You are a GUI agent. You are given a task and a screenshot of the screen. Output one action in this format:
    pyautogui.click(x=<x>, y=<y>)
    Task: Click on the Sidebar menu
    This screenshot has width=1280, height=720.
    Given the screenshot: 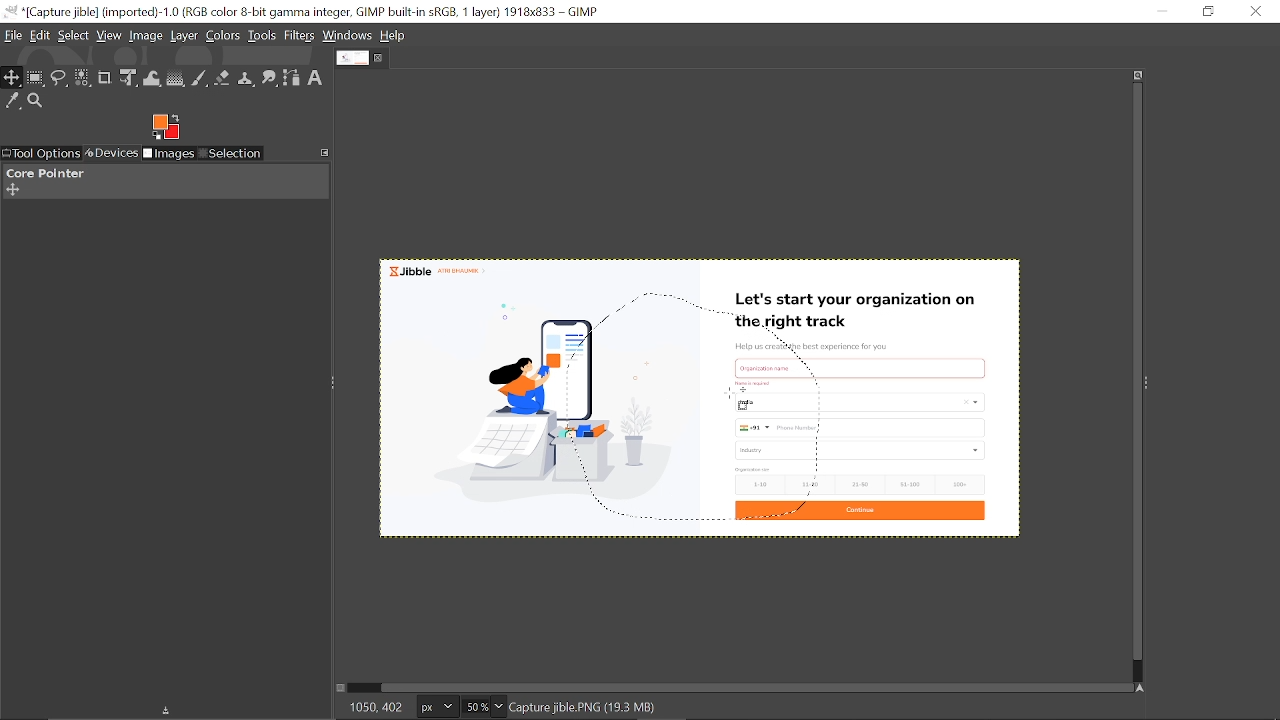 What is the action you would take?
    pyautogui.click(x=1151, y=381)
    